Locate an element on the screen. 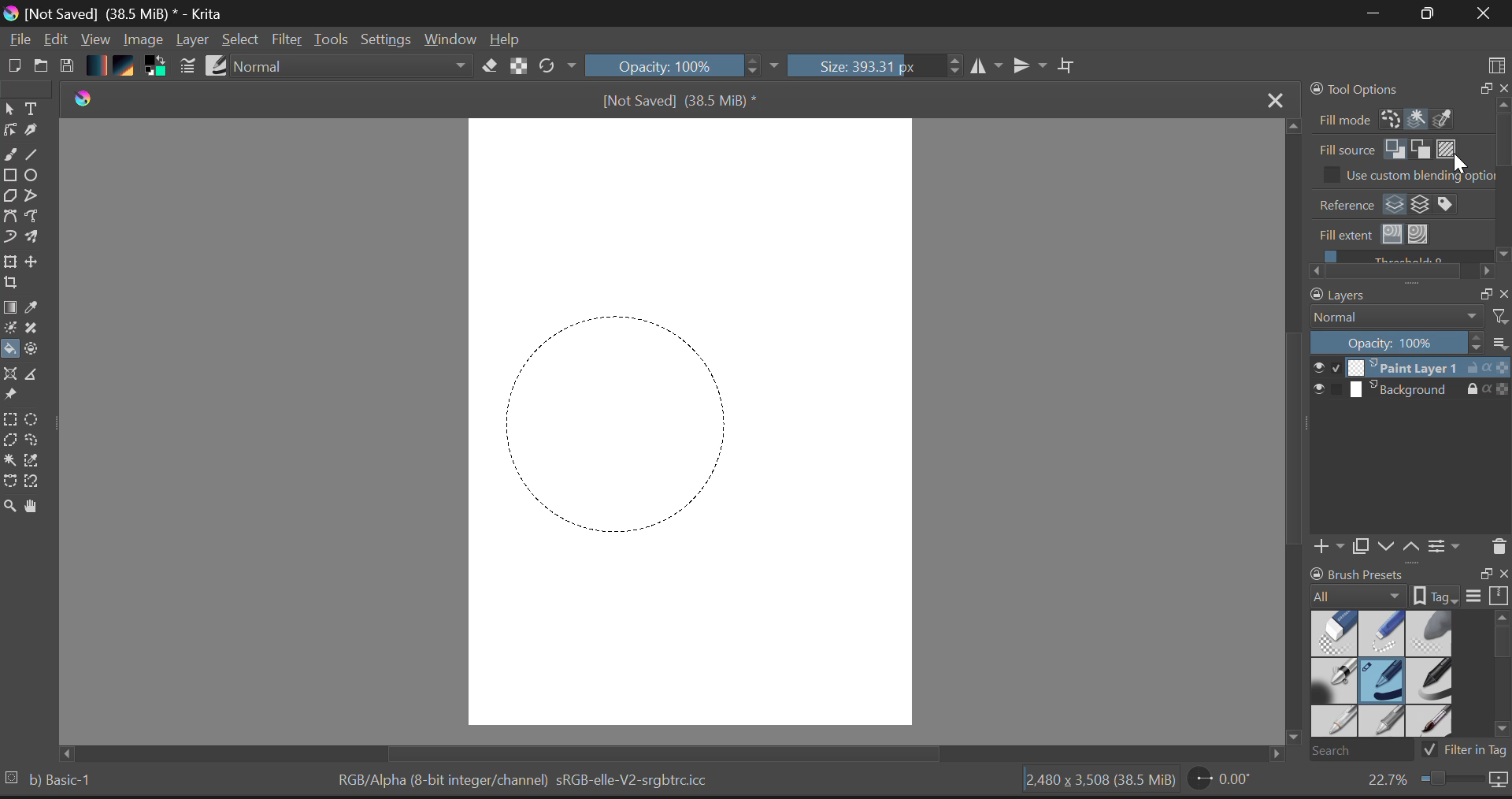 Image resolution: width=1512 pixels, height=799 pixels. Continuous Selection is located at coordinates (13, 461).